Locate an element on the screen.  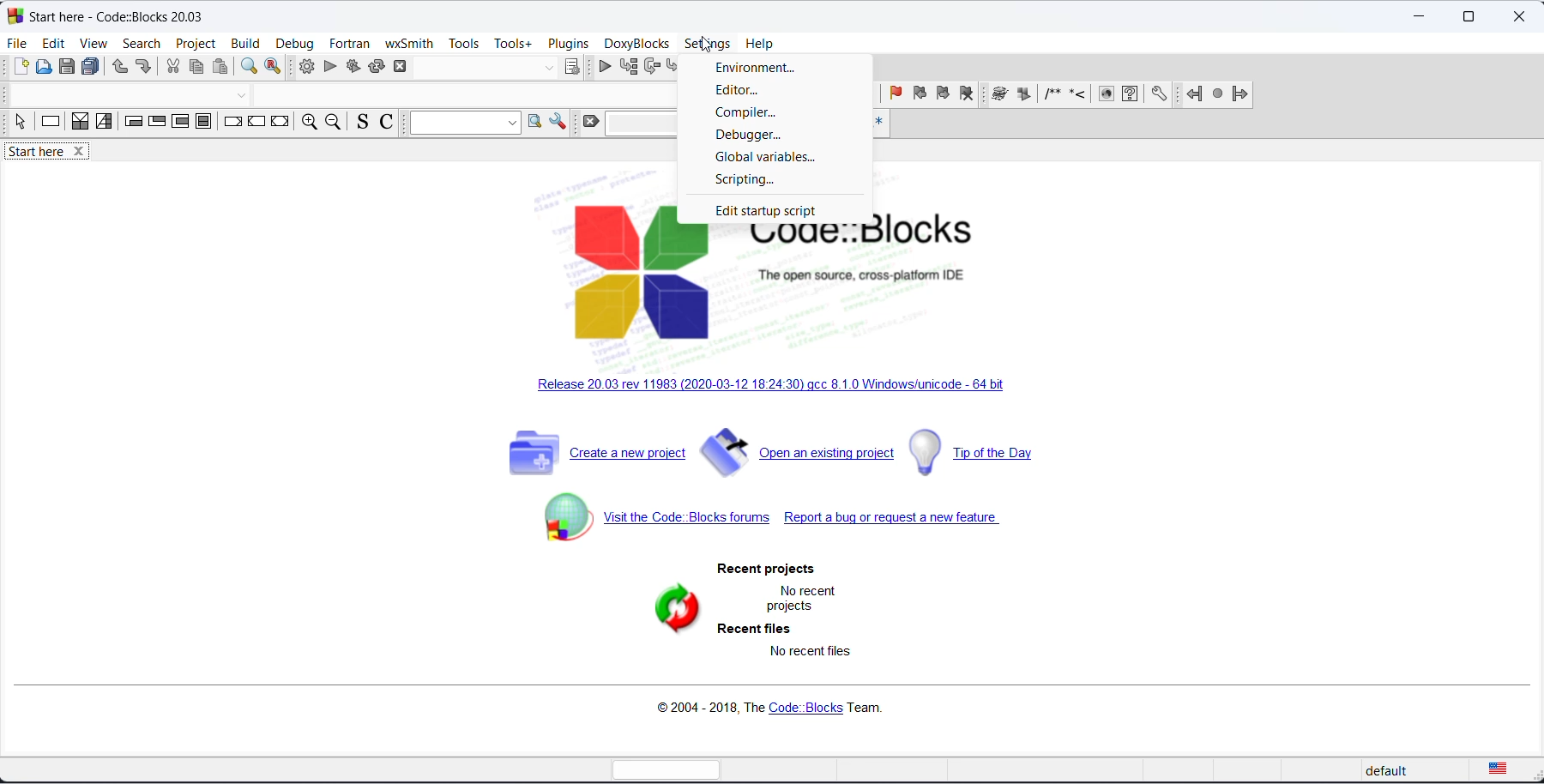
The open source, cross-platform IDE is located at coordinates (862, 275).